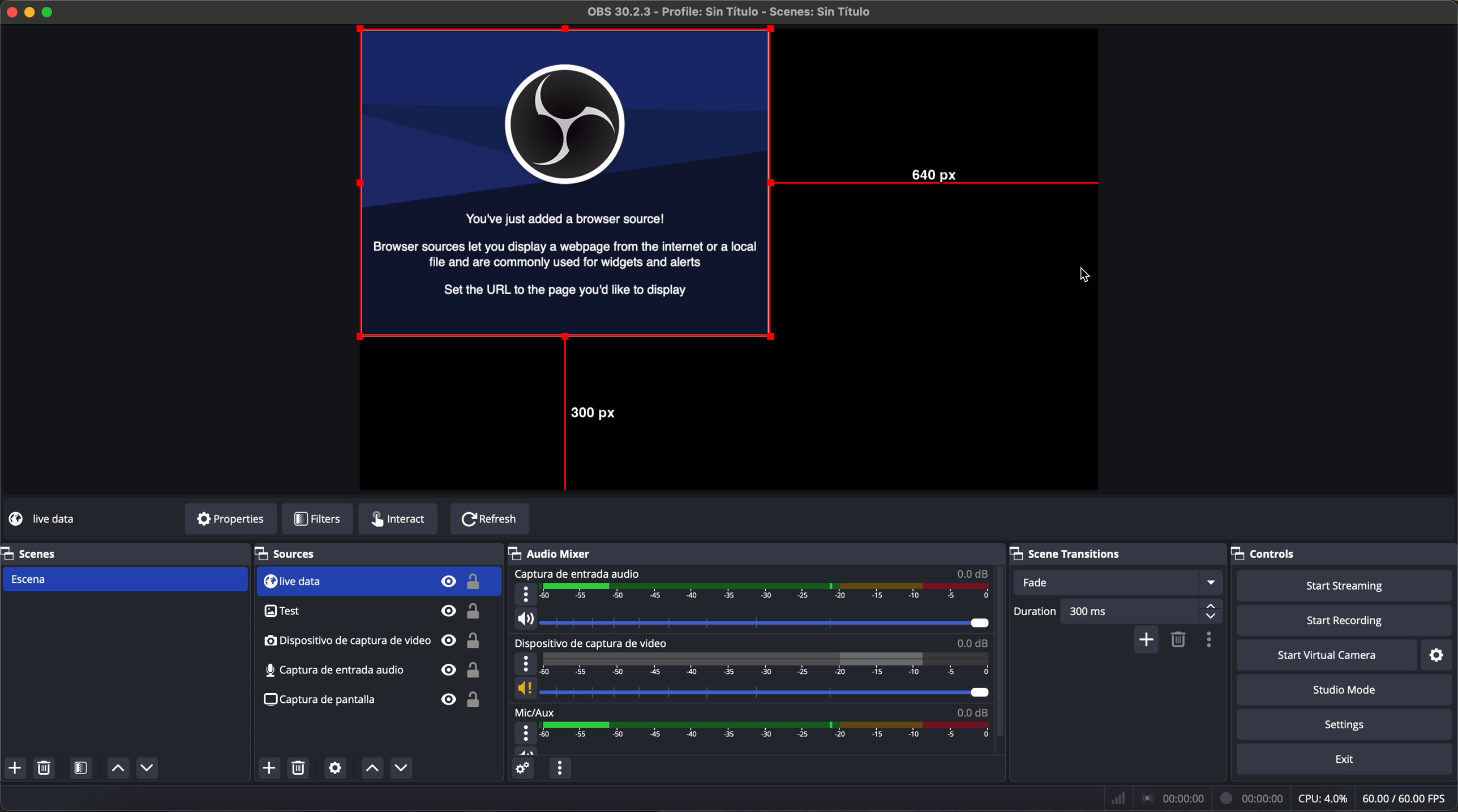 Image resolution: width=1458 pixels, height=812 pixels. I want to click on 640 px, so click(936, 181).